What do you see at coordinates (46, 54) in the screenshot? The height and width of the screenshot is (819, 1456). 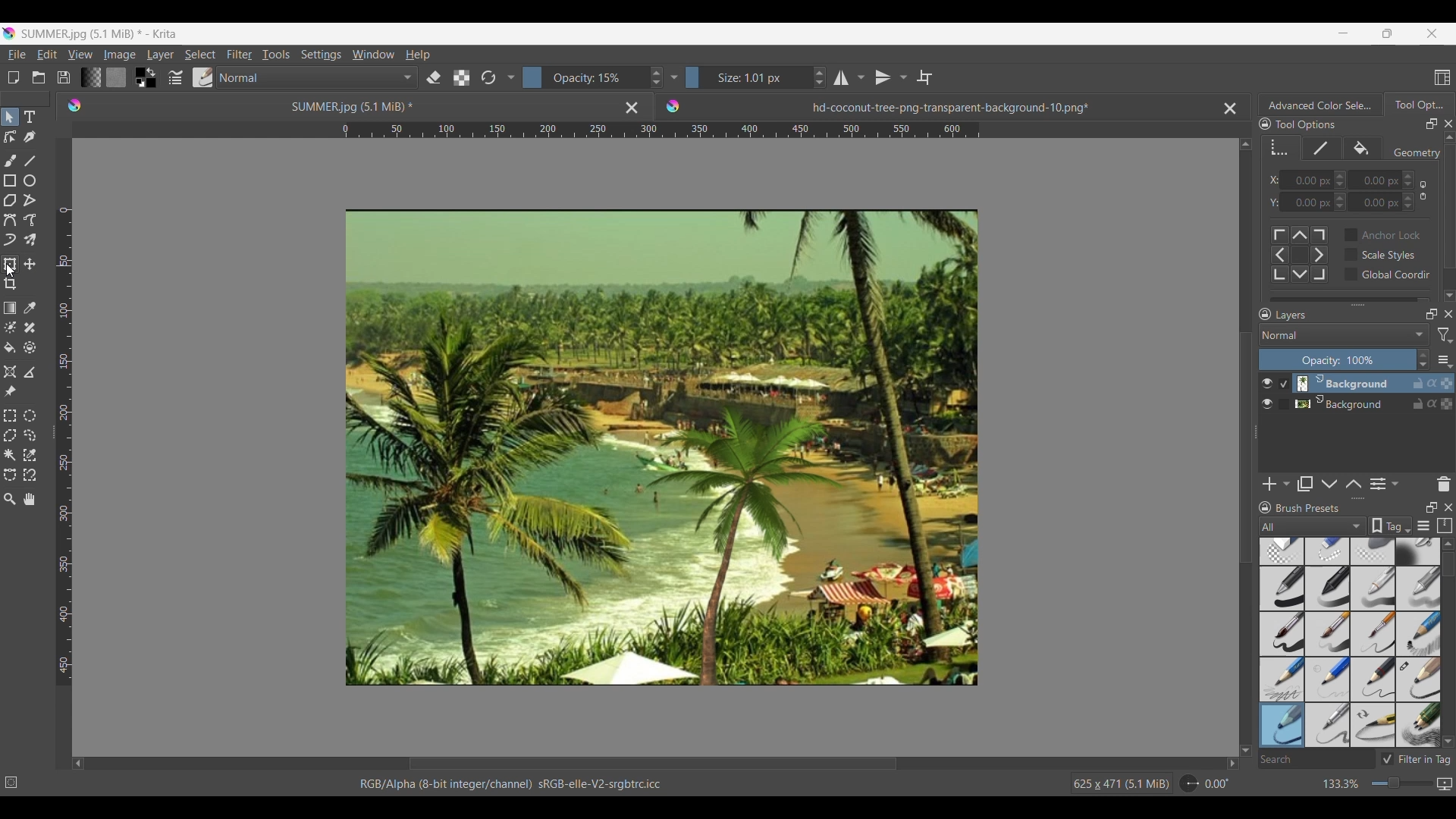 I see `Edit` at bounding box center [46, 54].